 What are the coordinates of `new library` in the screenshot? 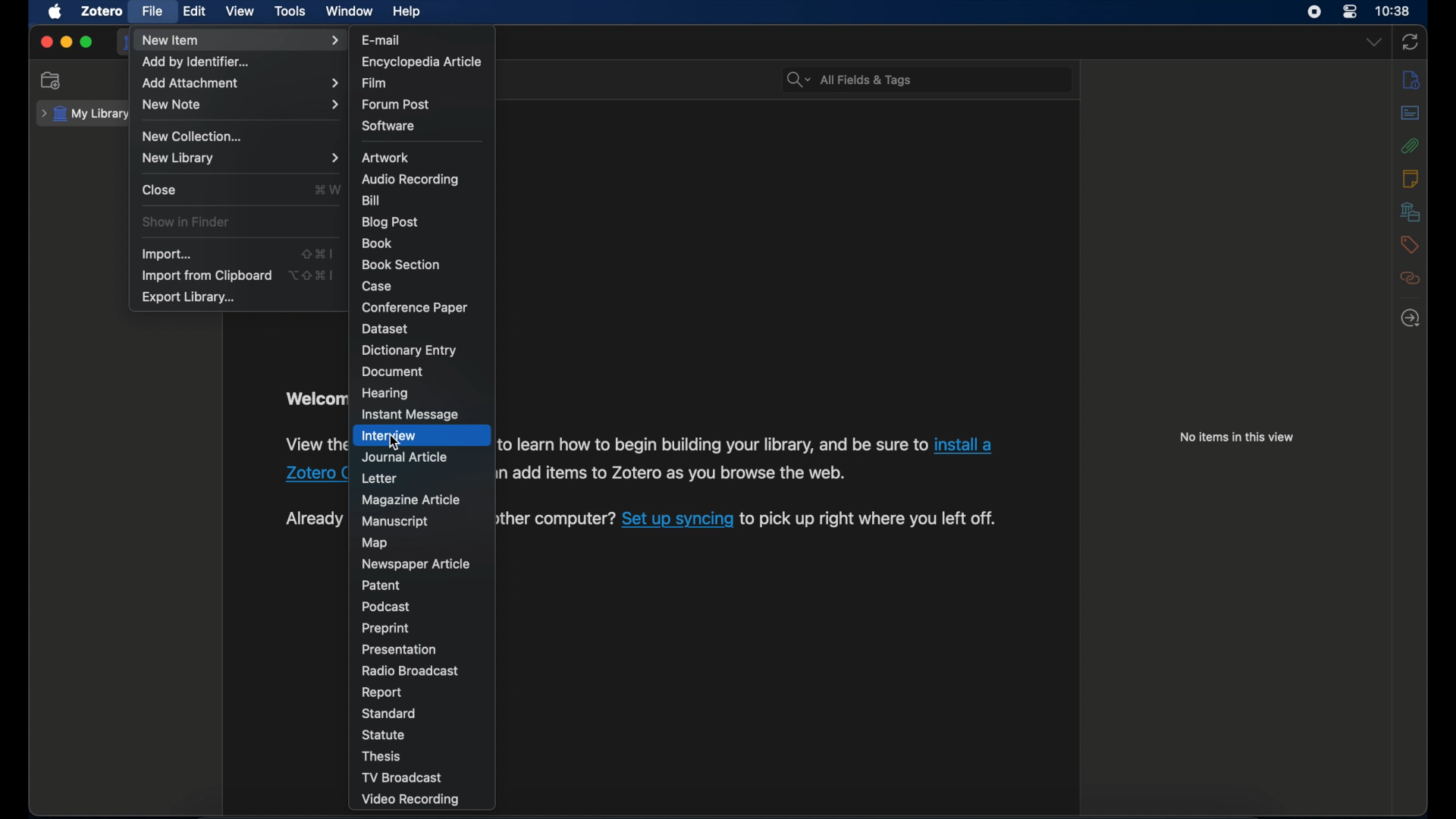 It's located at (240, 158).